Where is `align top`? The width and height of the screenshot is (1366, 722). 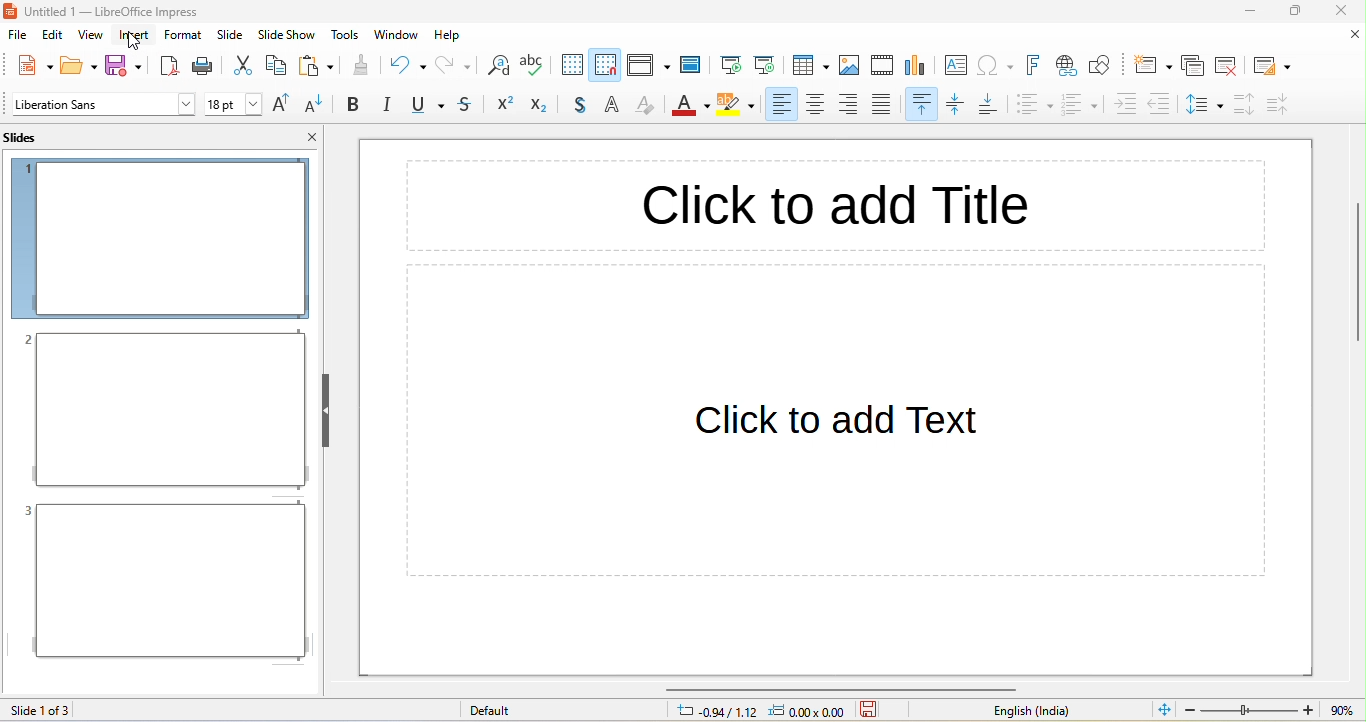
align top is located at coordinates (923, 105).